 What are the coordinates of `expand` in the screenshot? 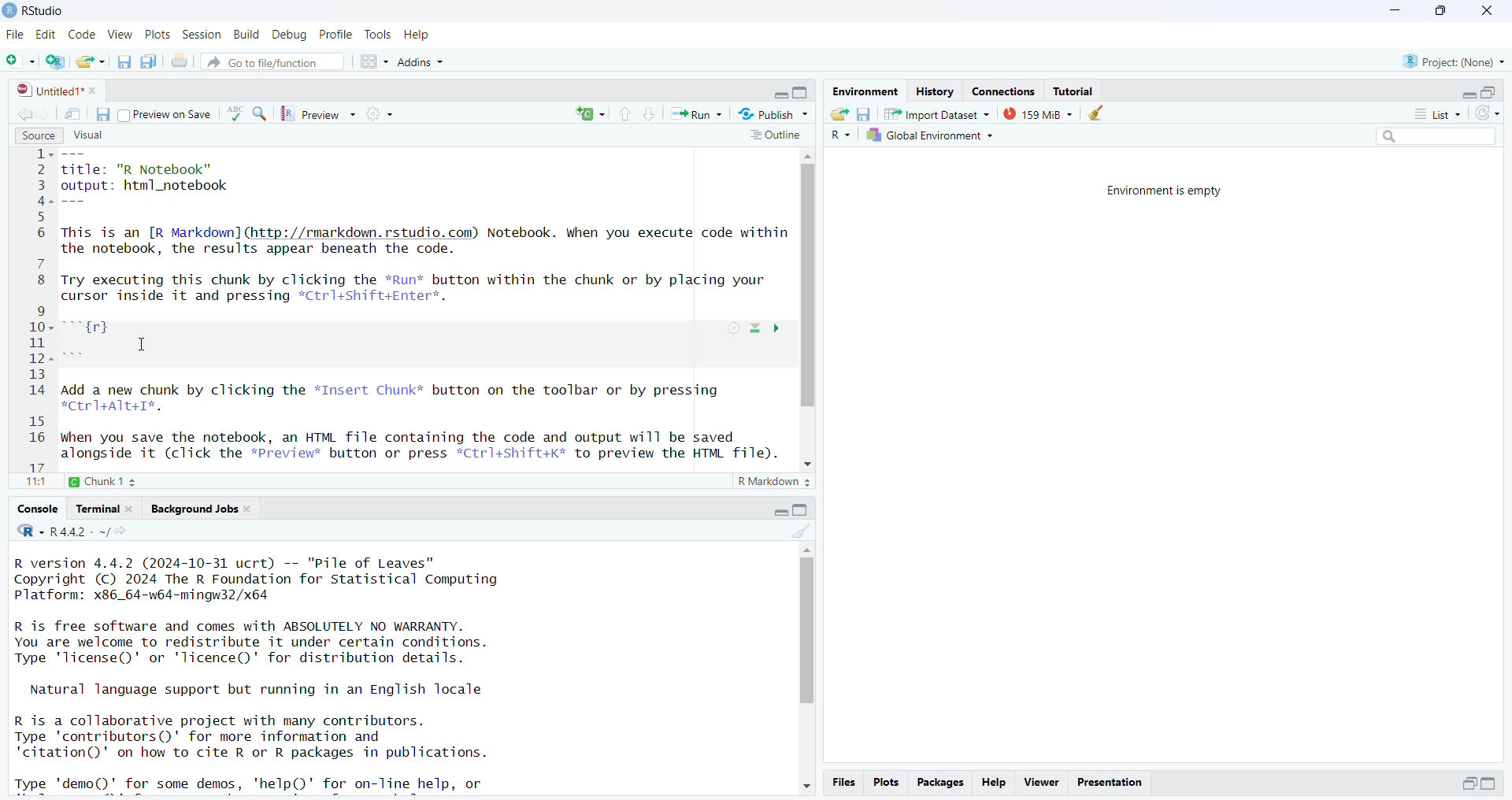 It's located at (1469, 94).